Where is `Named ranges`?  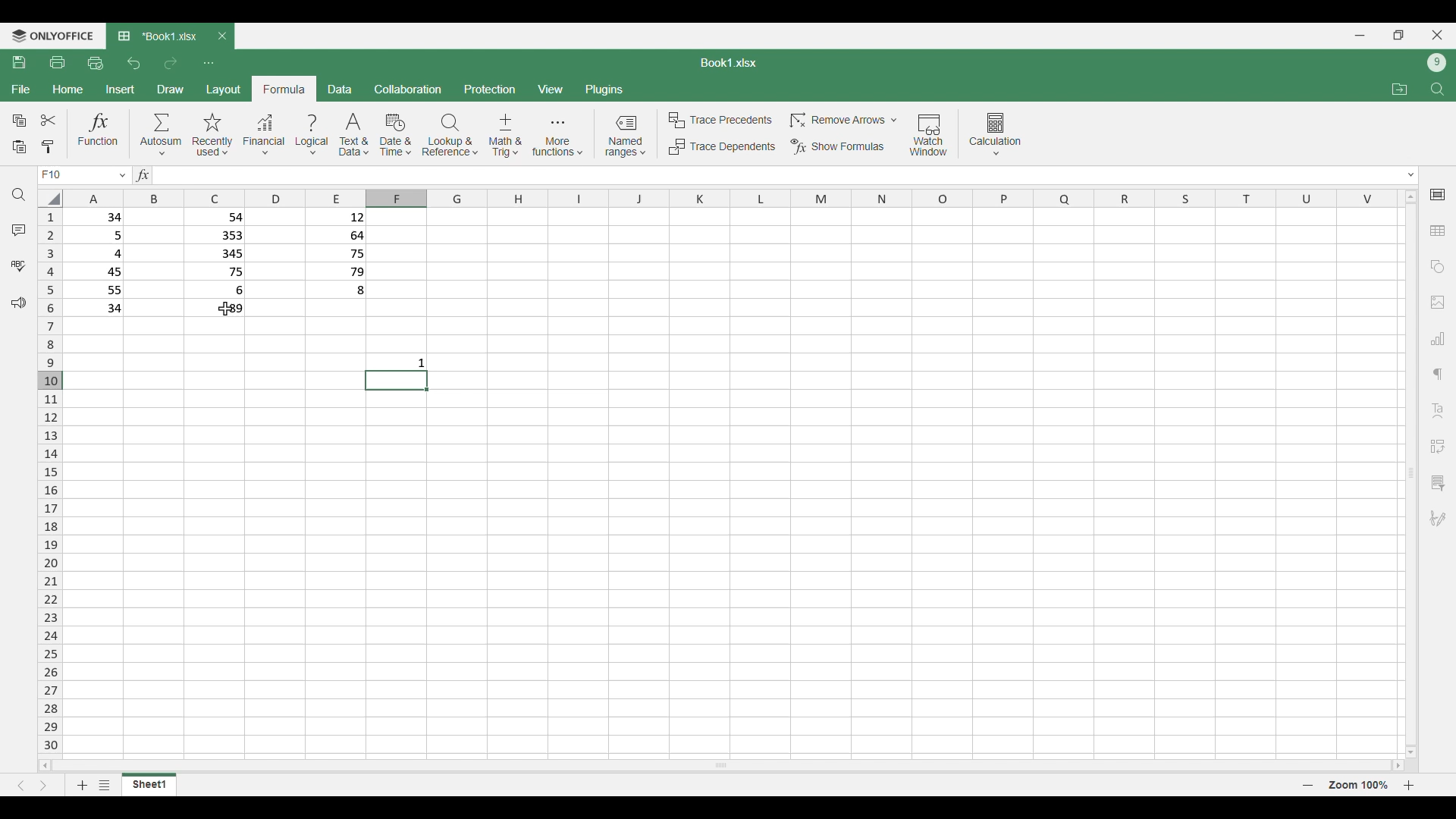
Named ranges is located at coordinates (625, 136).